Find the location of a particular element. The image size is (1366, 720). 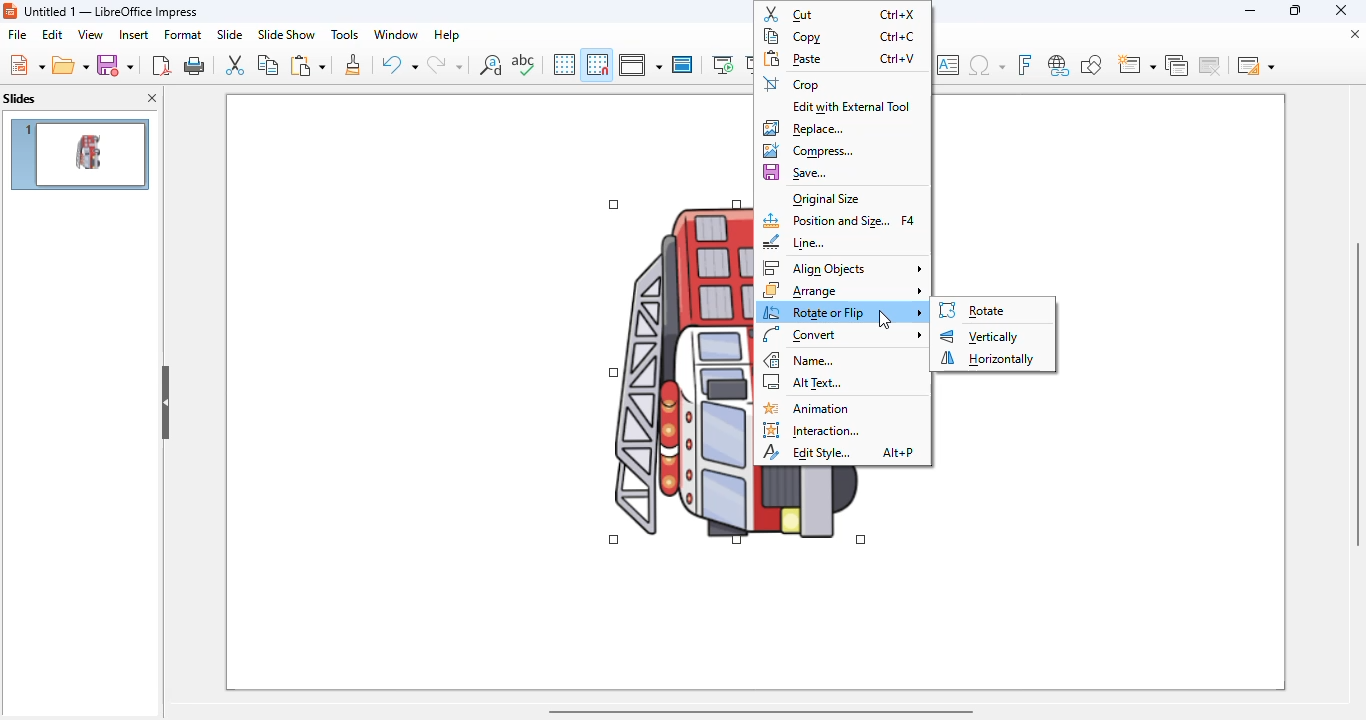

convert is located at coordinates (843, 335).